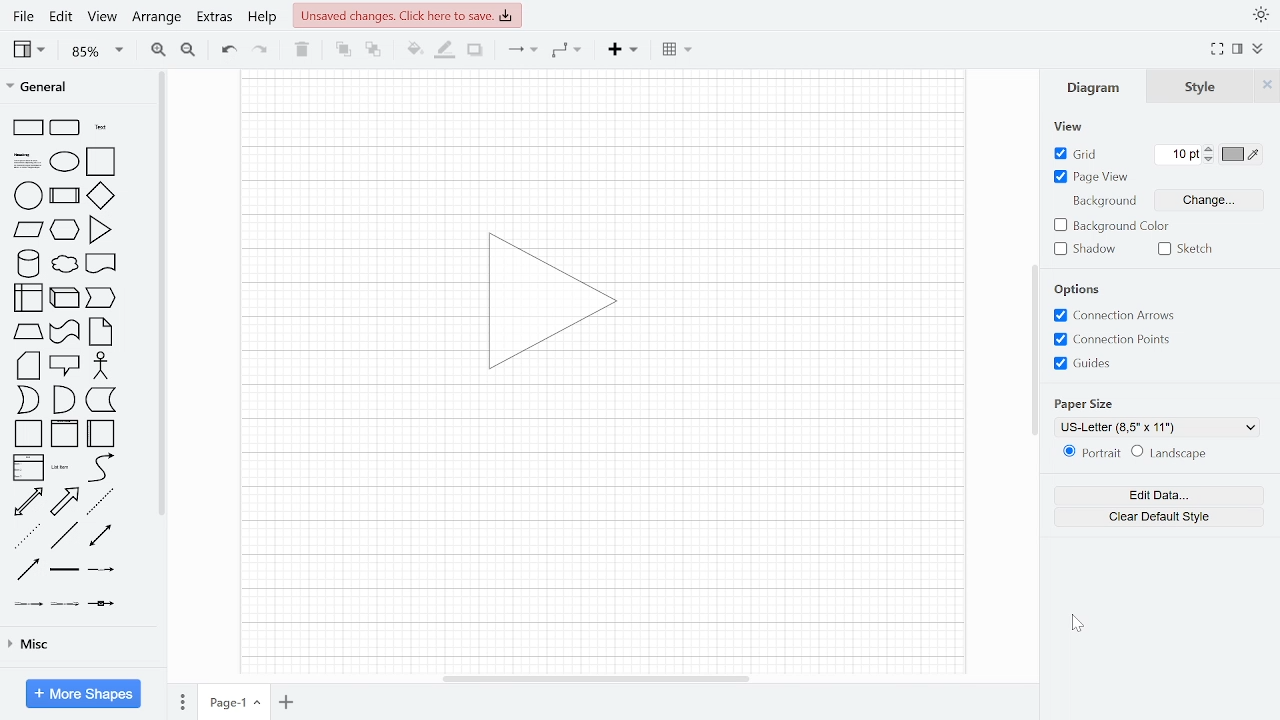 Image resolution: width=1280 pixels, height=720 pixels. What do you see at coordinates (100, 604) in the screenshot?
I see `Connector with Symbol` at bounding box center [100, 604].